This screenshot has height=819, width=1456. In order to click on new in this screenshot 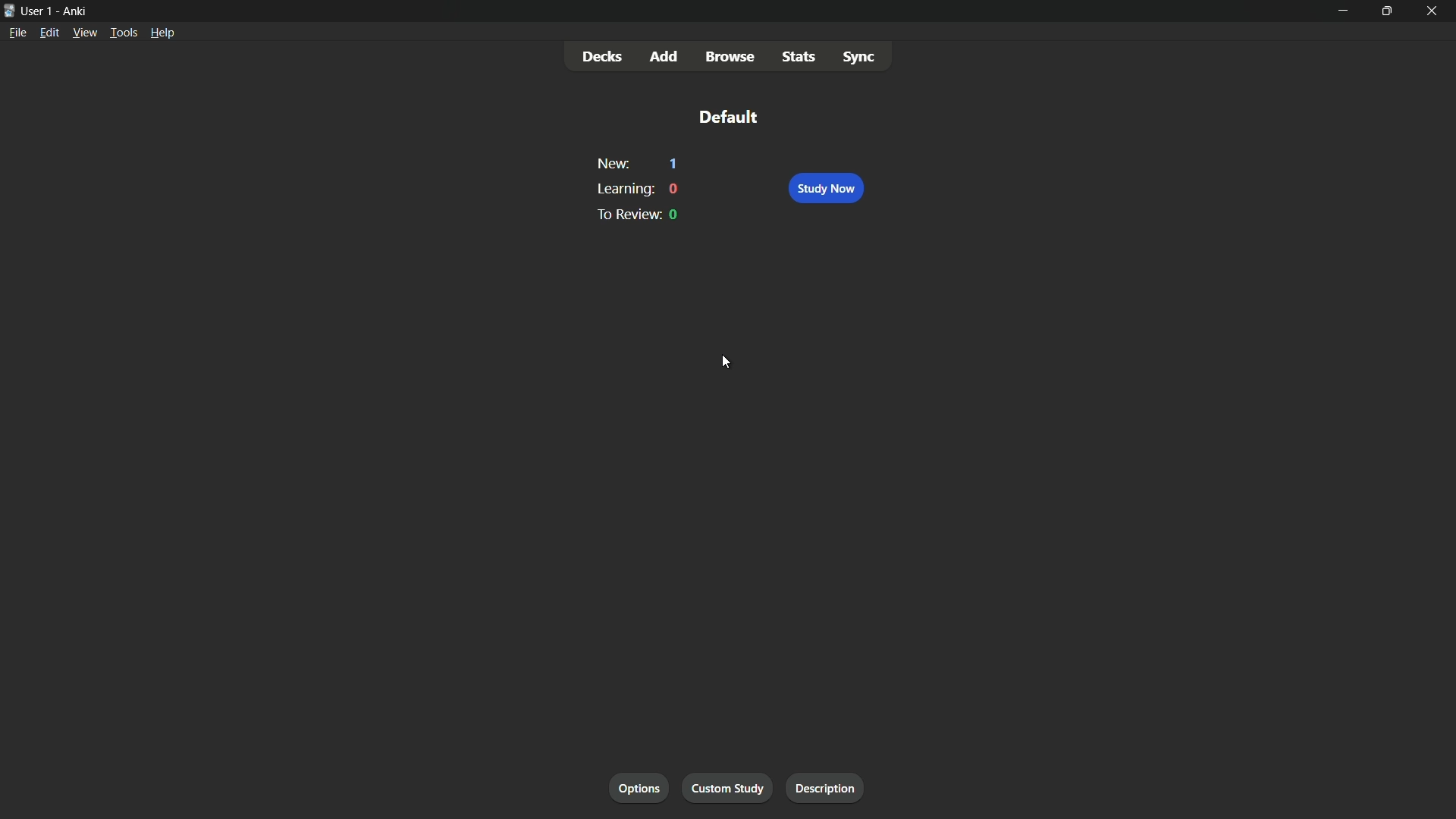, I will do `click(612, 164)`.